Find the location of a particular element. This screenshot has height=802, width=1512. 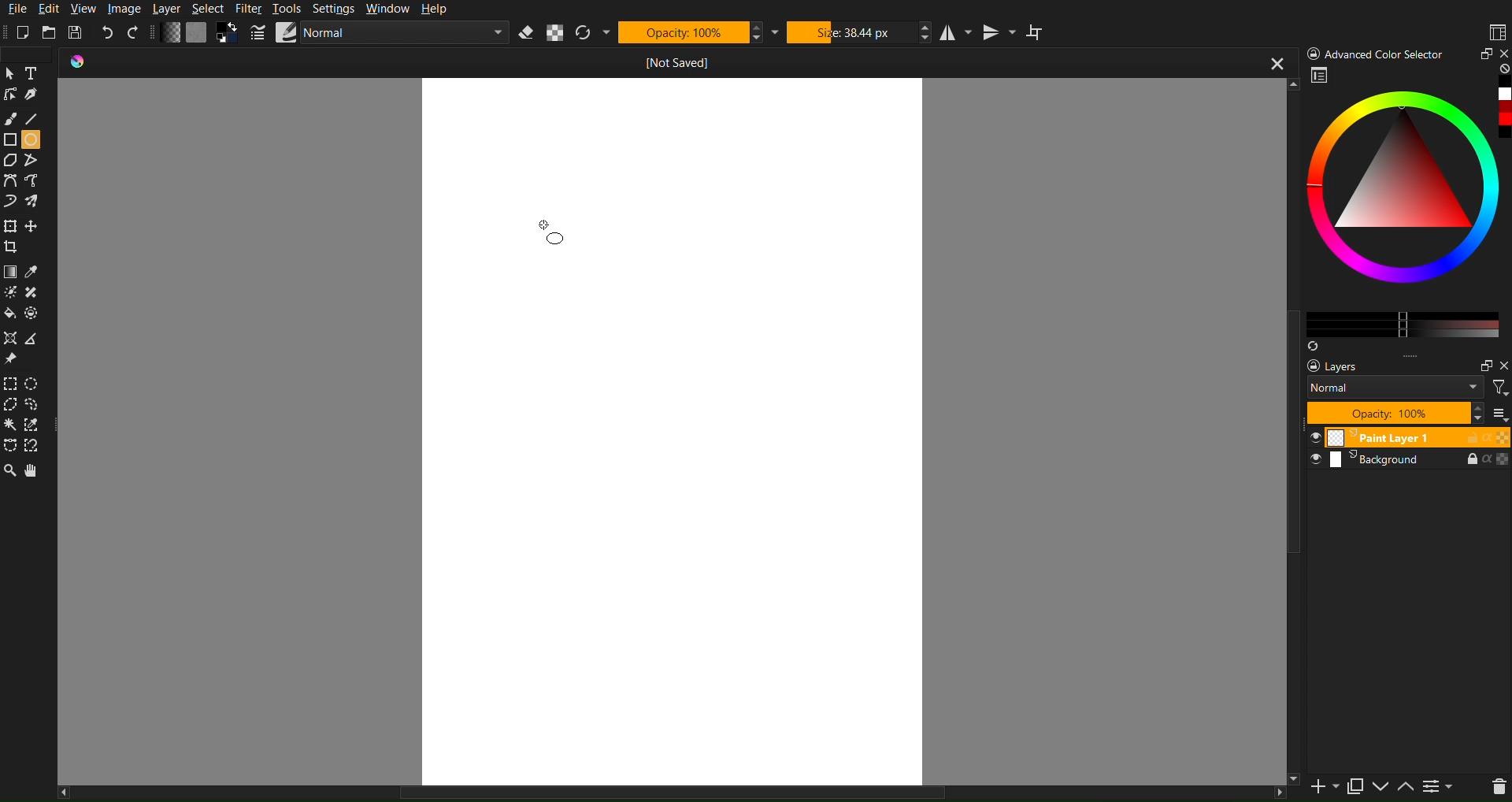

Line is located at coordinates (39, 121).